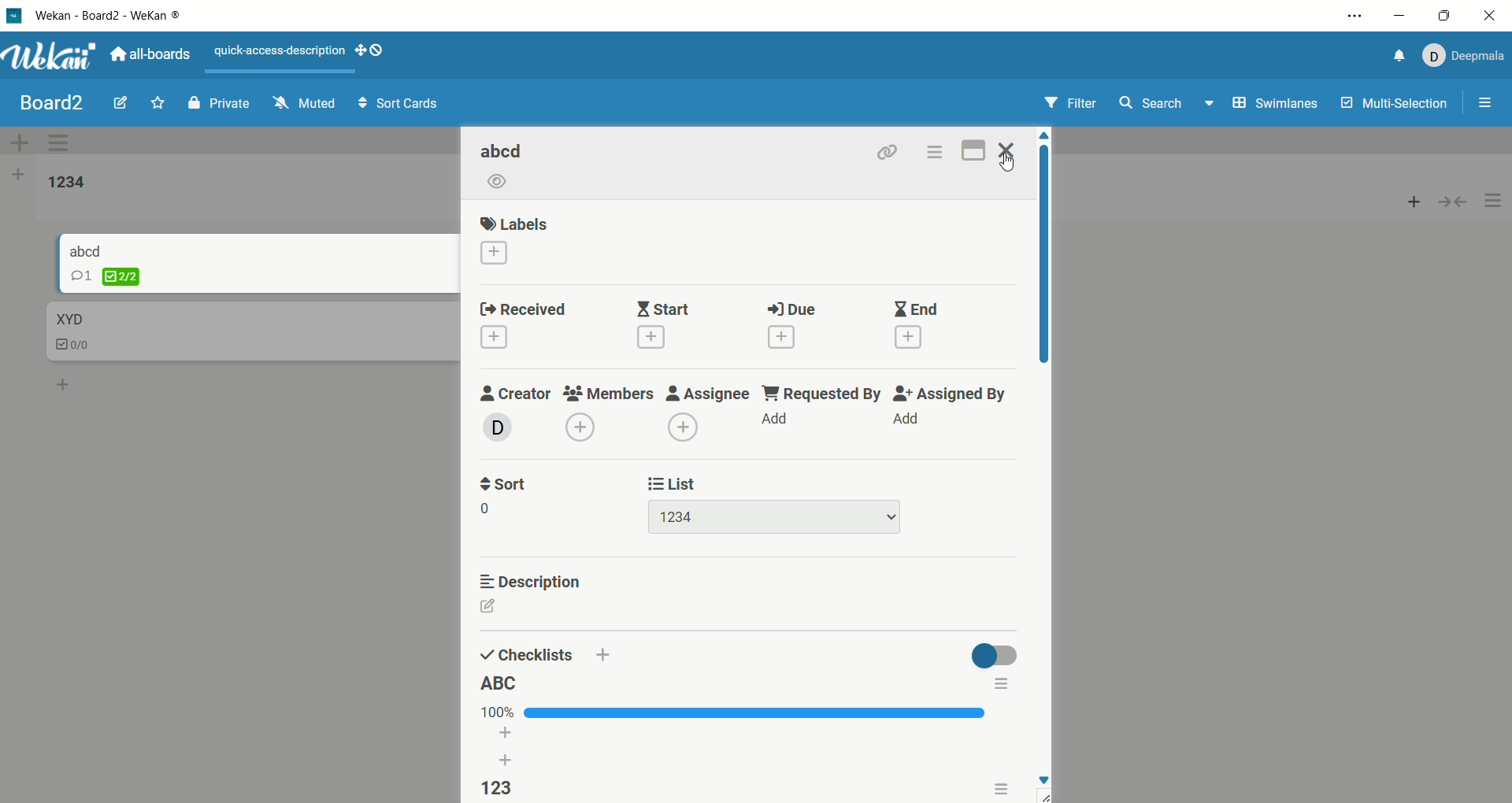  Describe the element at coordinates (62, 181) in the screenshot. I see `list title` at that location.